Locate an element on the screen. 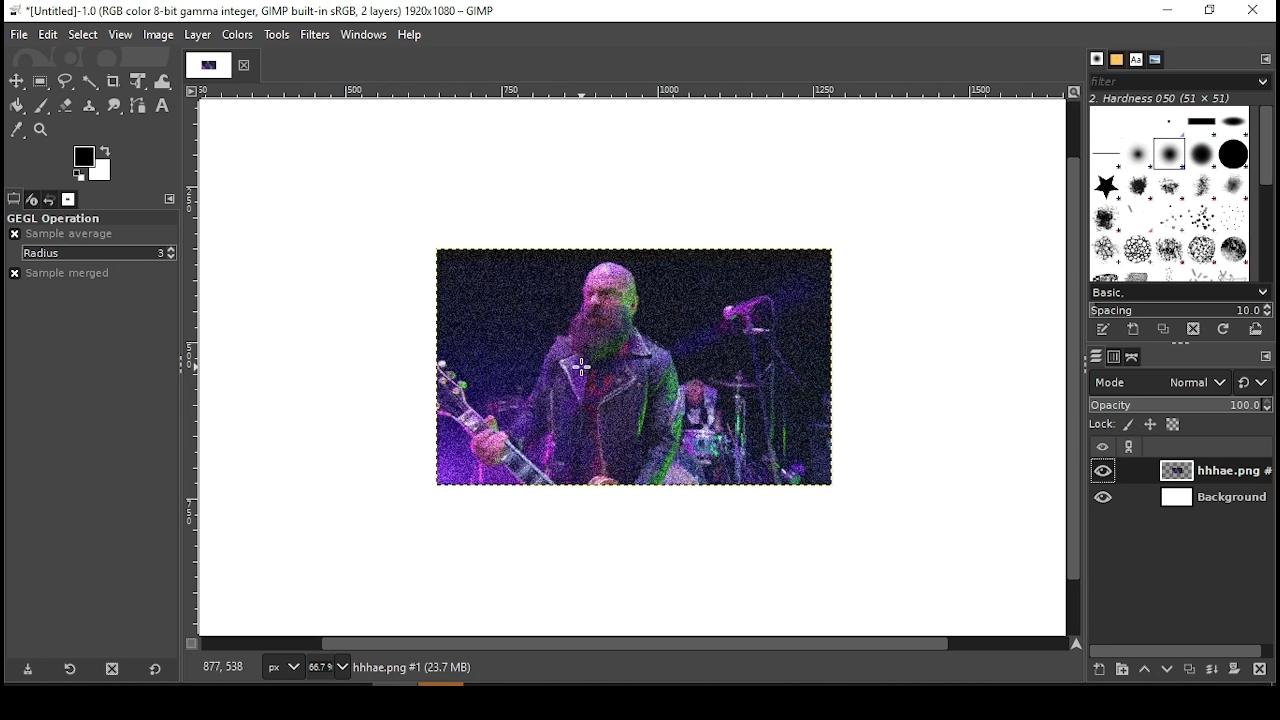  paths tool is located at coordinates (140, 107).